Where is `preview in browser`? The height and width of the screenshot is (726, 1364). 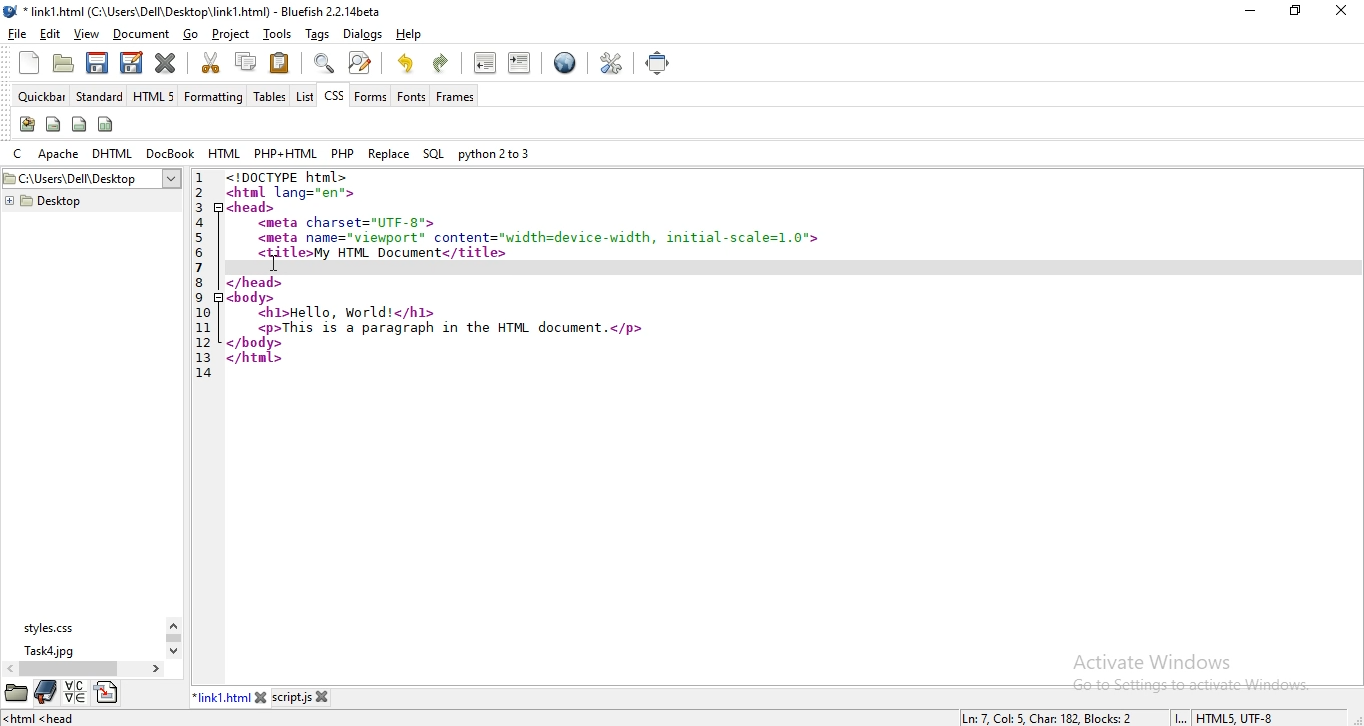
preview in browser is located at coordinates (564, 64).